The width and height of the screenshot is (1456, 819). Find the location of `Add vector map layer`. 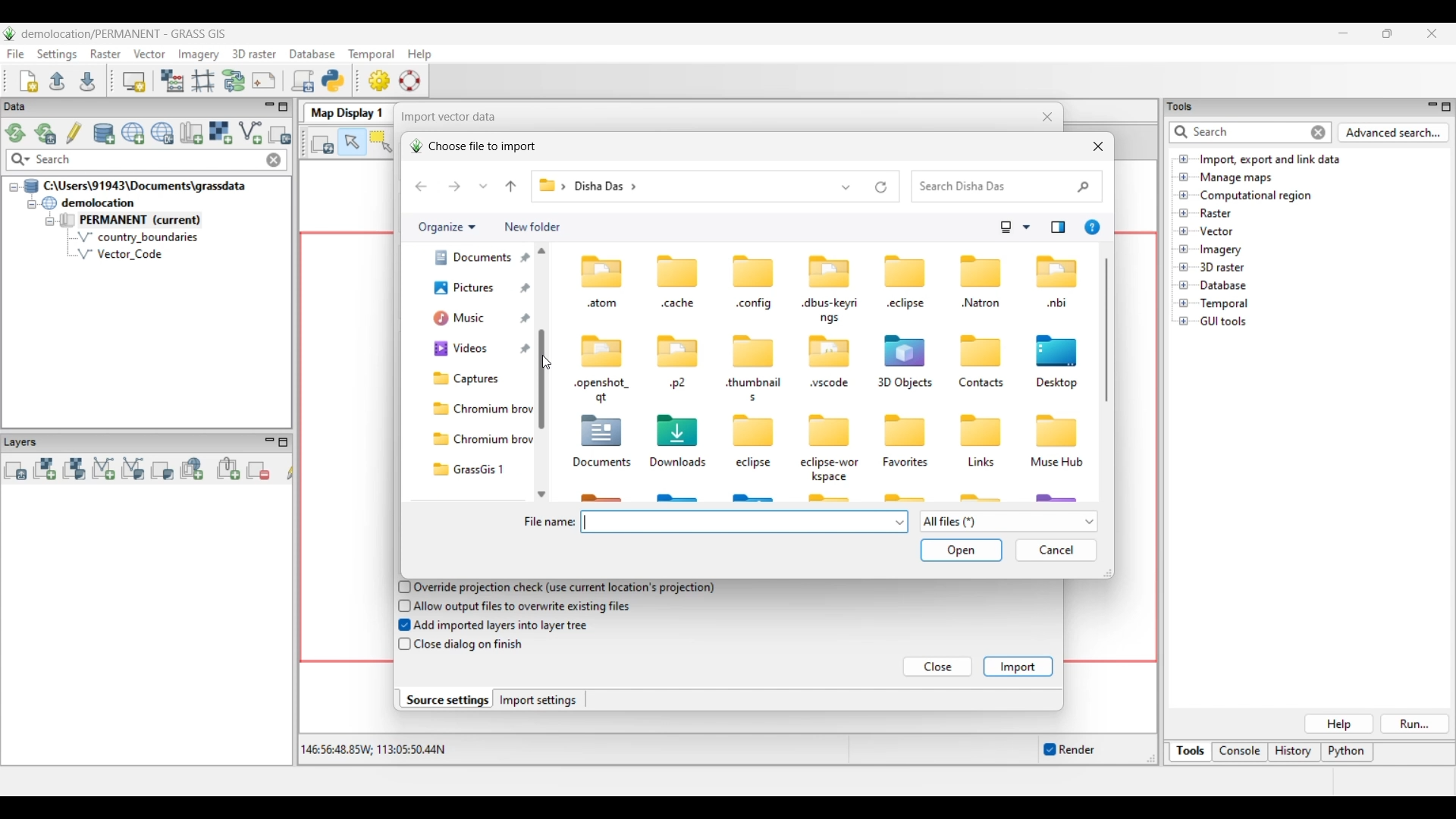

Add vector map layer is located at coordinates (104, 469).